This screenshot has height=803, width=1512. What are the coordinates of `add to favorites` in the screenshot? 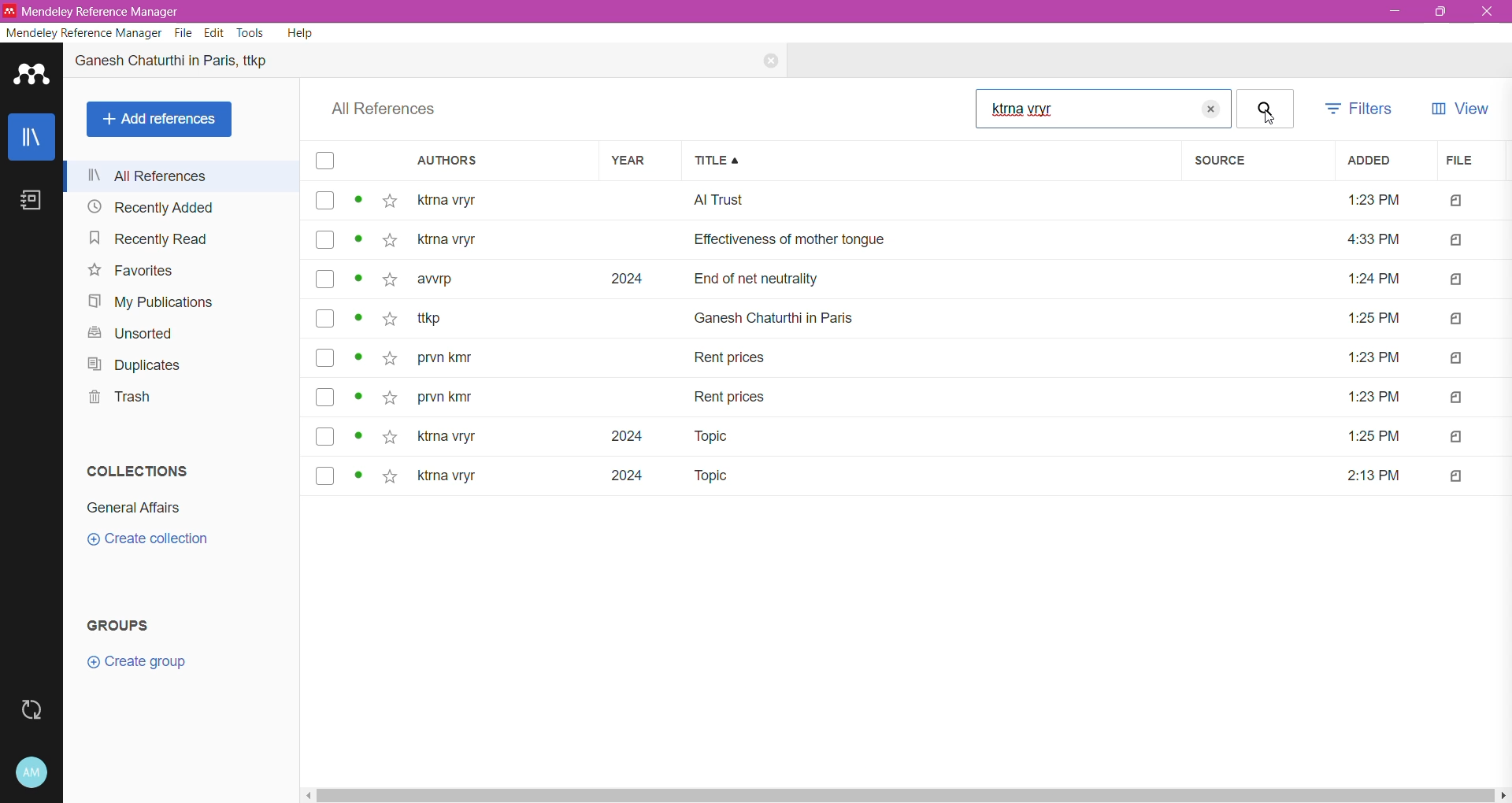 It's located at (389, 477).